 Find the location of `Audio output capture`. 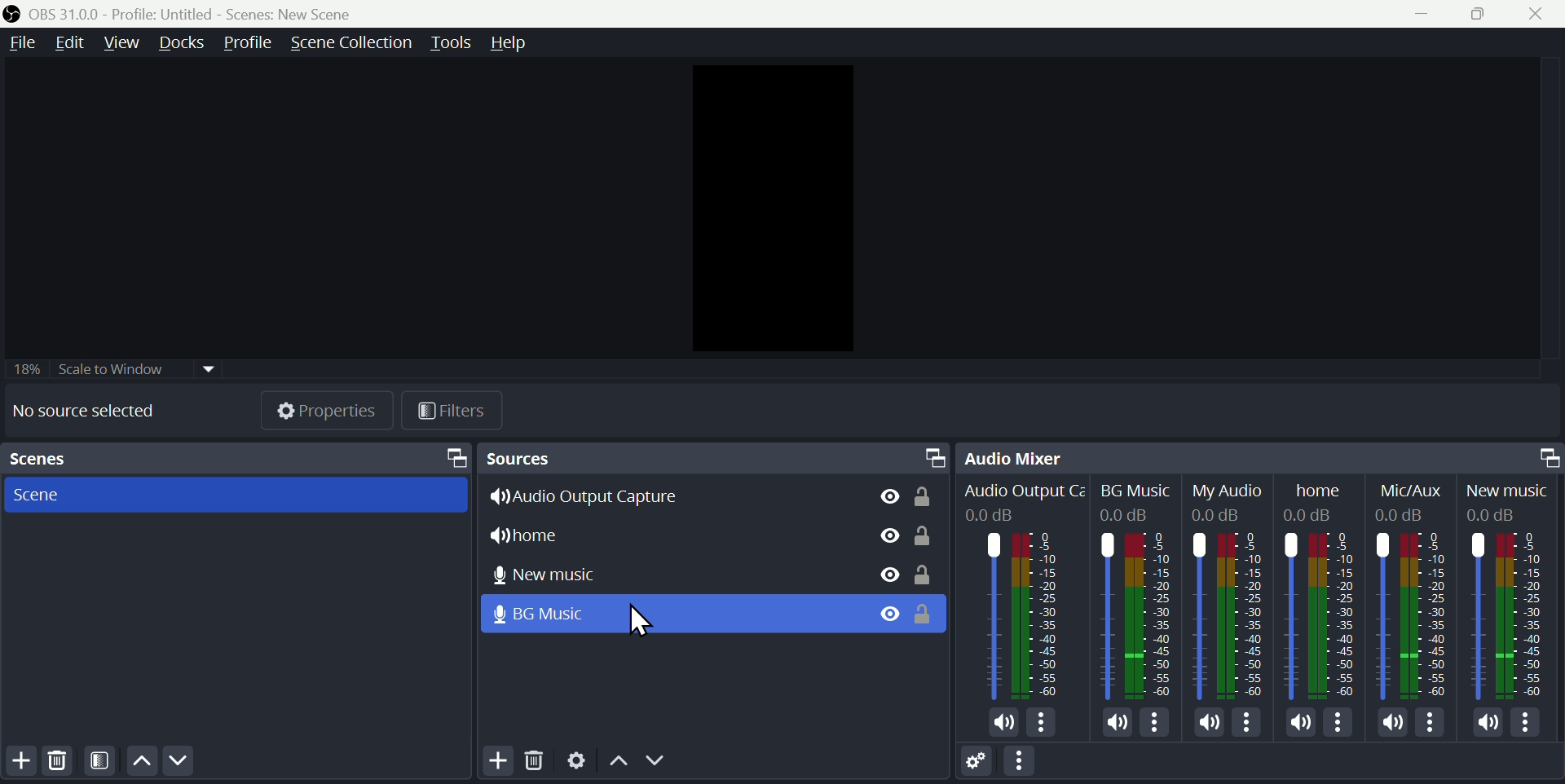

Audio output capture is located at coordinates (600, 497).